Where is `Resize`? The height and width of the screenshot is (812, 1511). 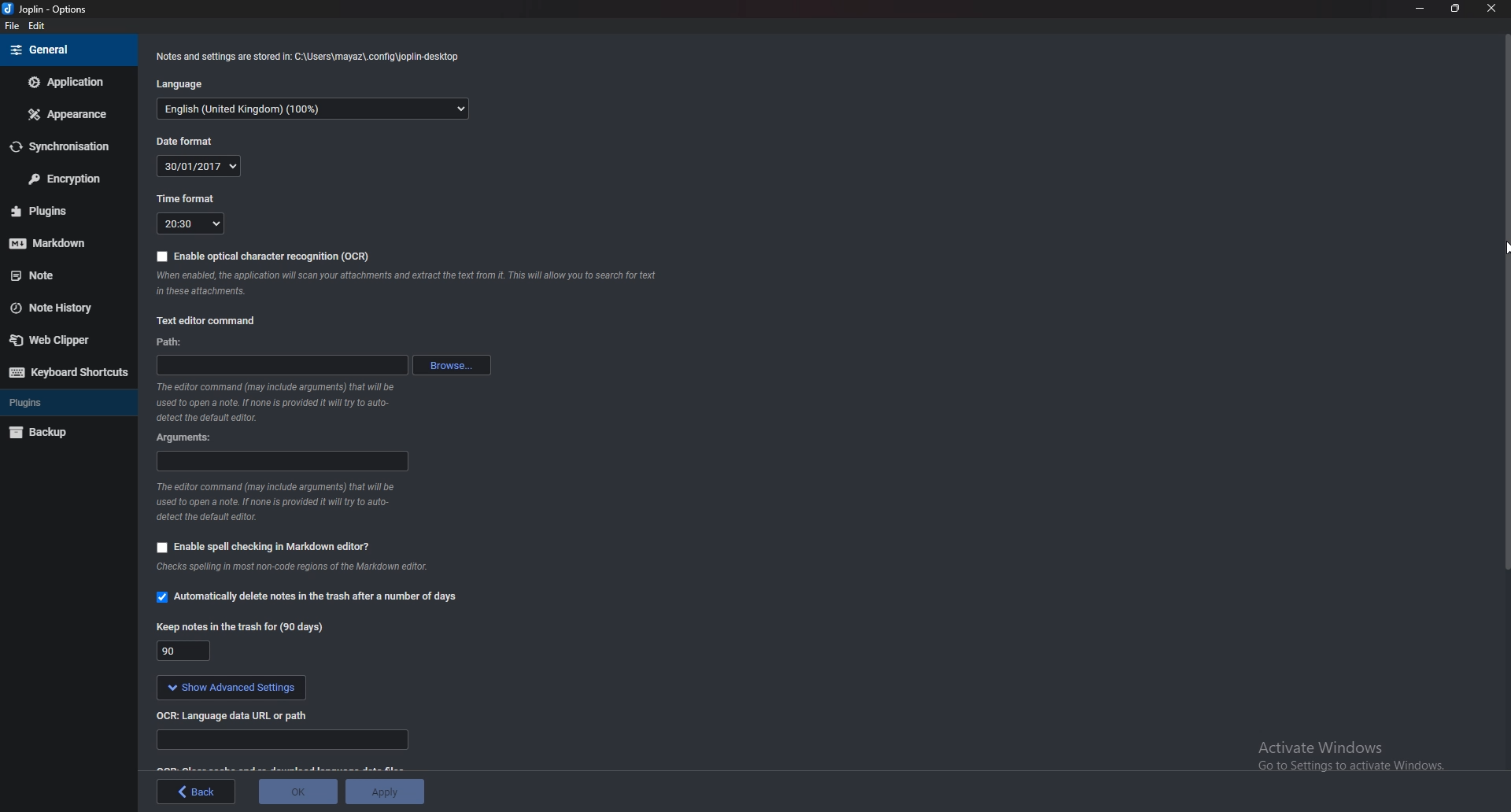 Resize is located at coordinates (1456, 8).